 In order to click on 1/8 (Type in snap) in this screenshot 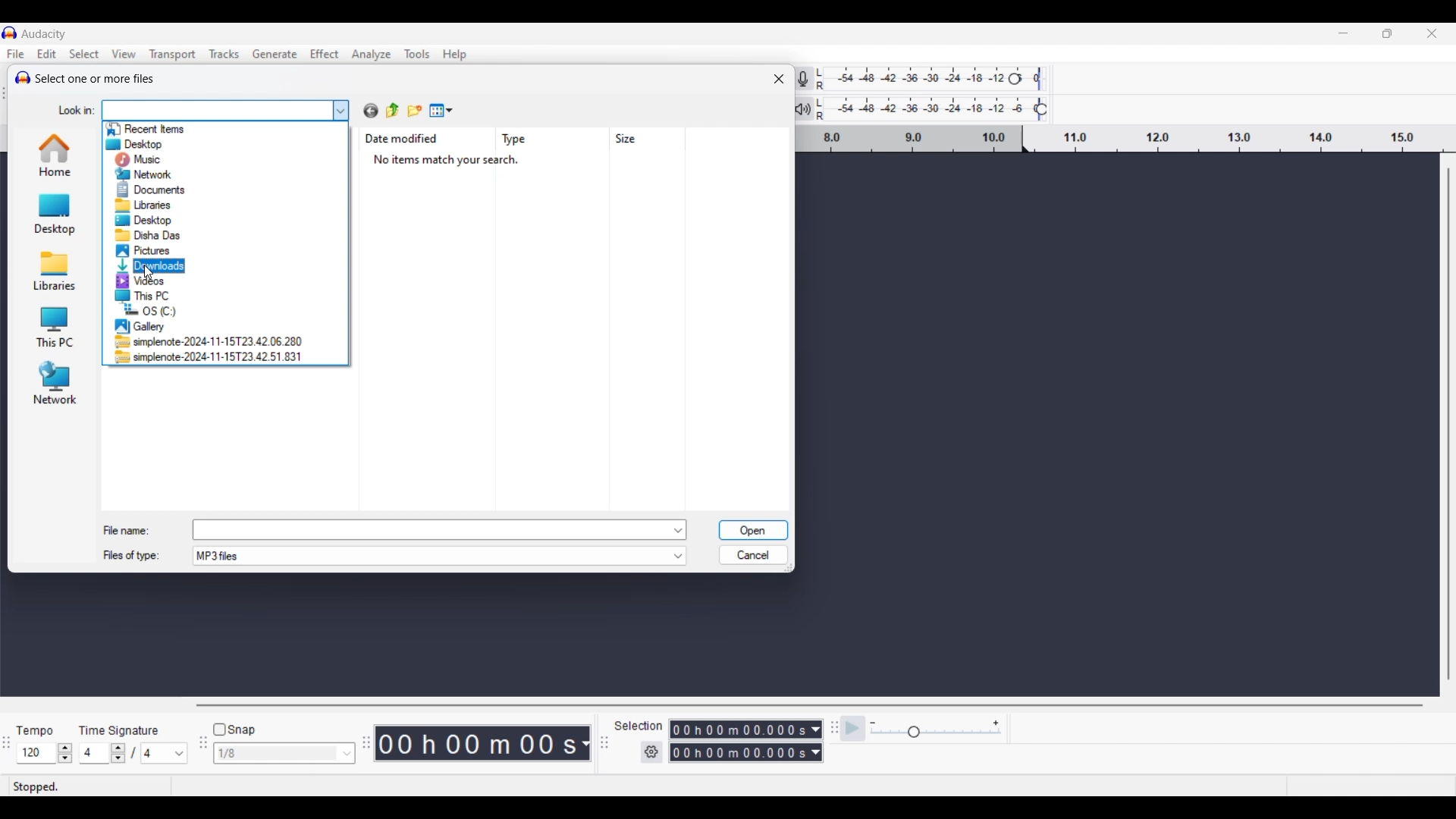, I will do `click(274, 755)`.